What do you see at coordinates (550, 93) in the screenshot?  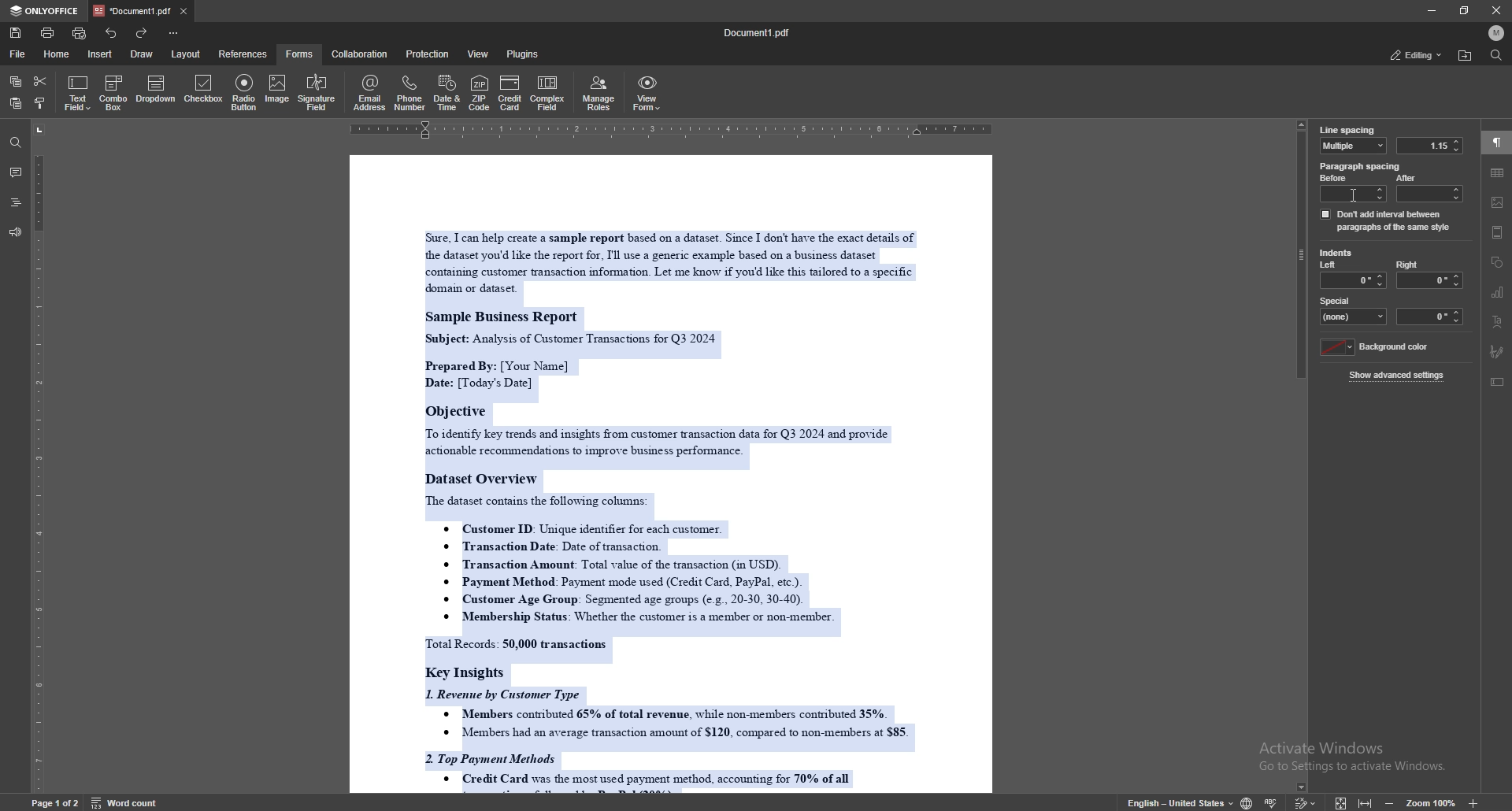 I see `complex field` at bounding box center [550, 93].